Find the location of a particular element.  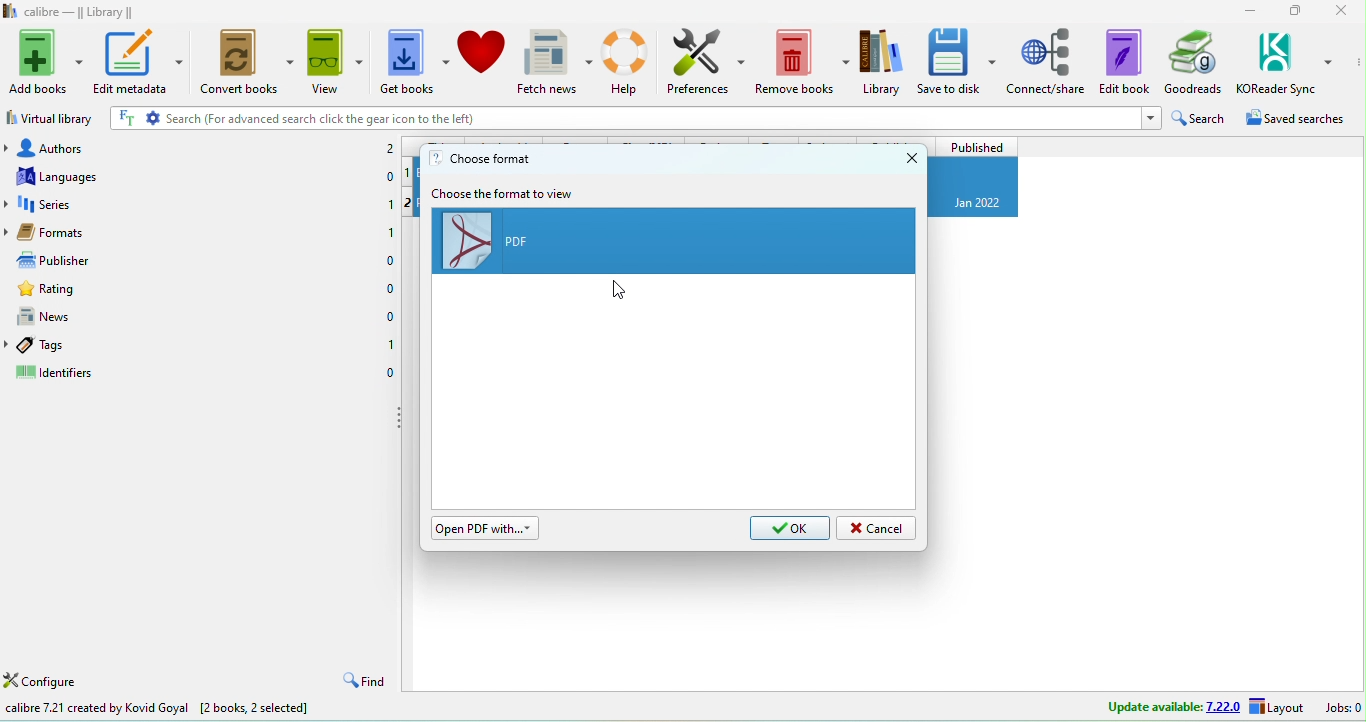

Help is located at coordinates (628, 61).